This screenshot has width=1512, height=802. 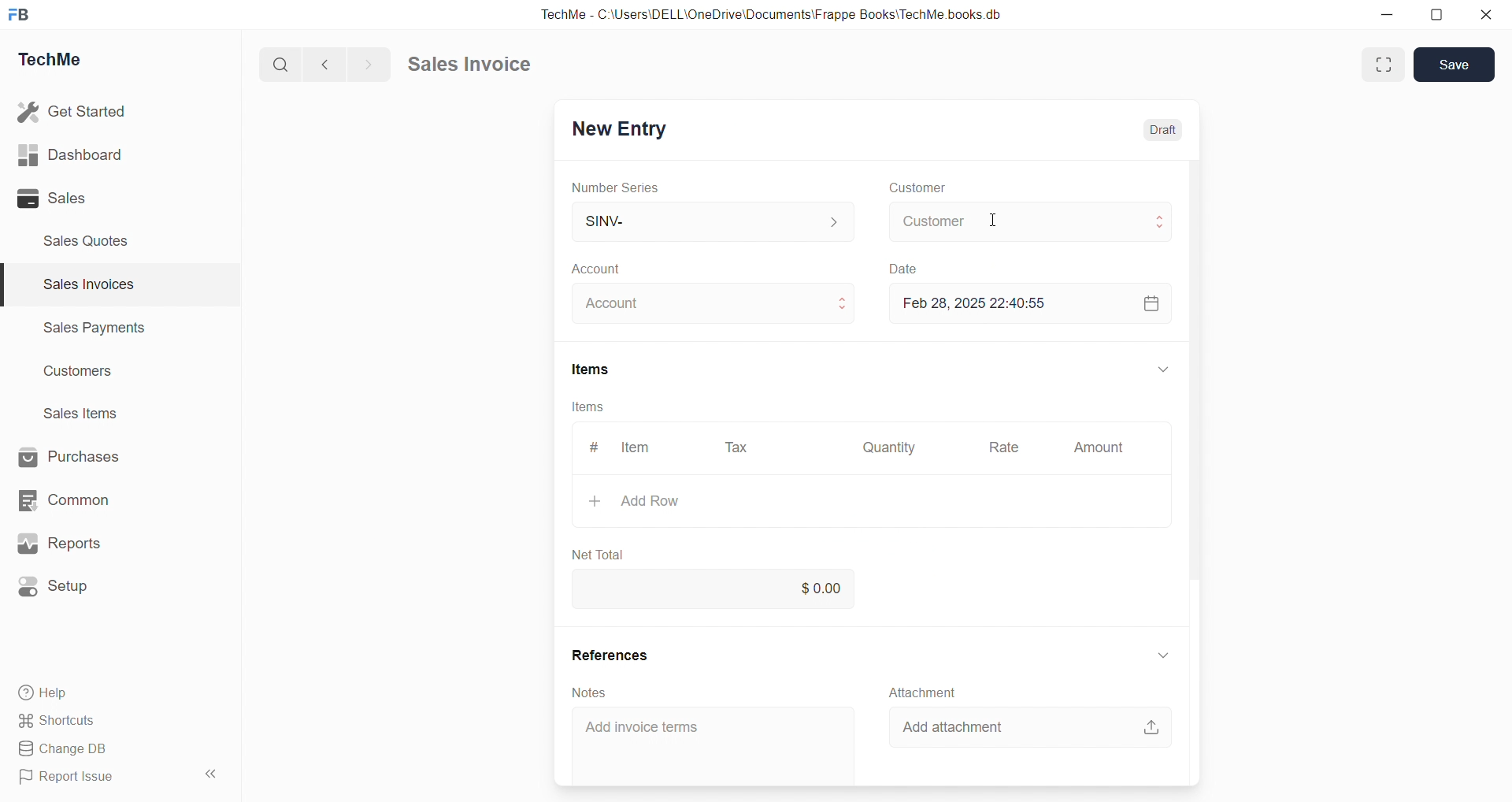 What do you see at coordinates (468, 63) in the screenshot?
I see `Sales invoice` at bounding box center [468, 63].